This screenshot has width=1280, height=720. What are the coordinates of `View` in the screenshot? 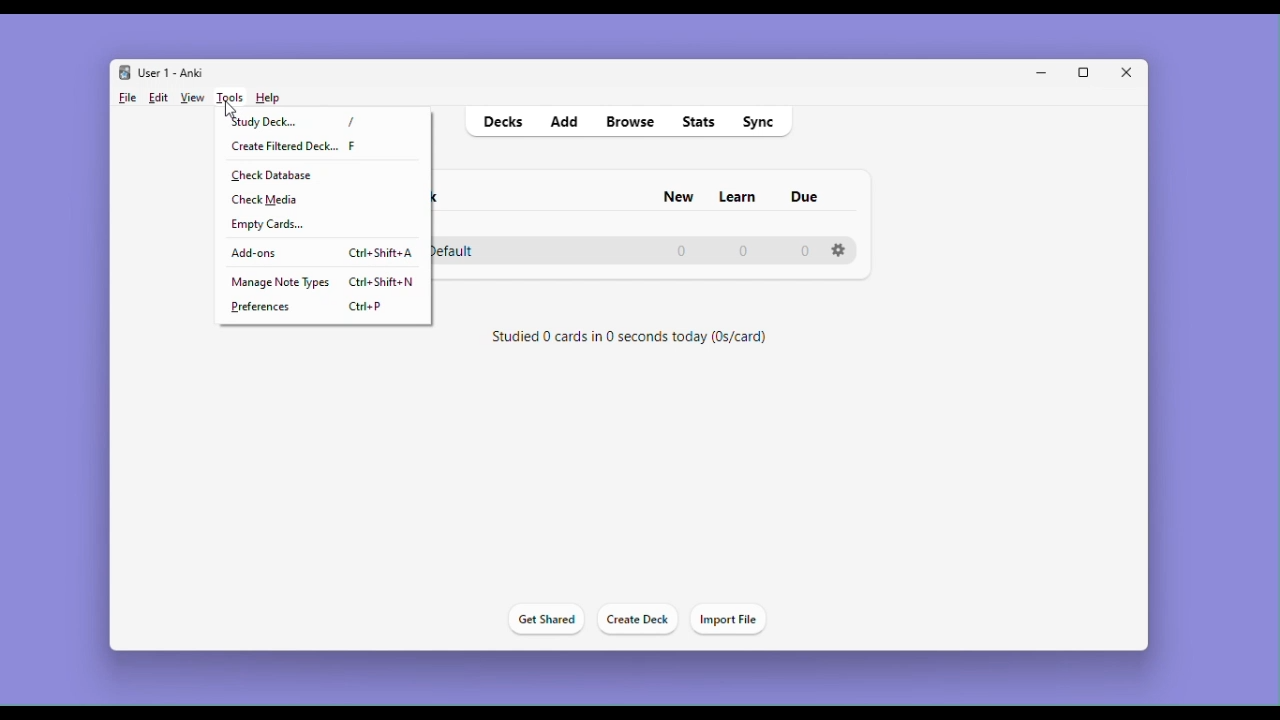 It's located at (192, 98).